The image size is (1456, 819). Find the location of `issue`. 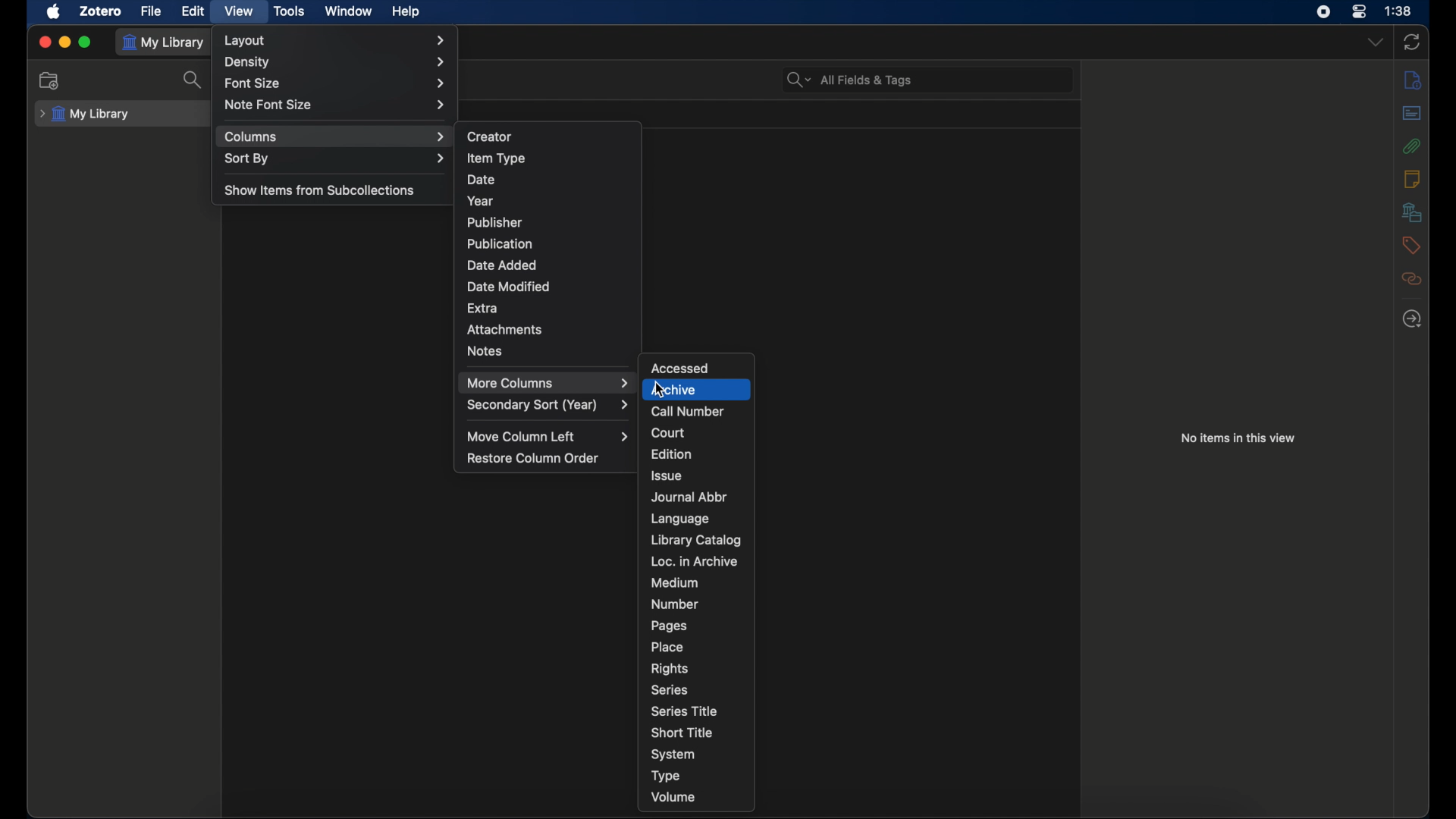

issue is located at coordinates (666, 476).